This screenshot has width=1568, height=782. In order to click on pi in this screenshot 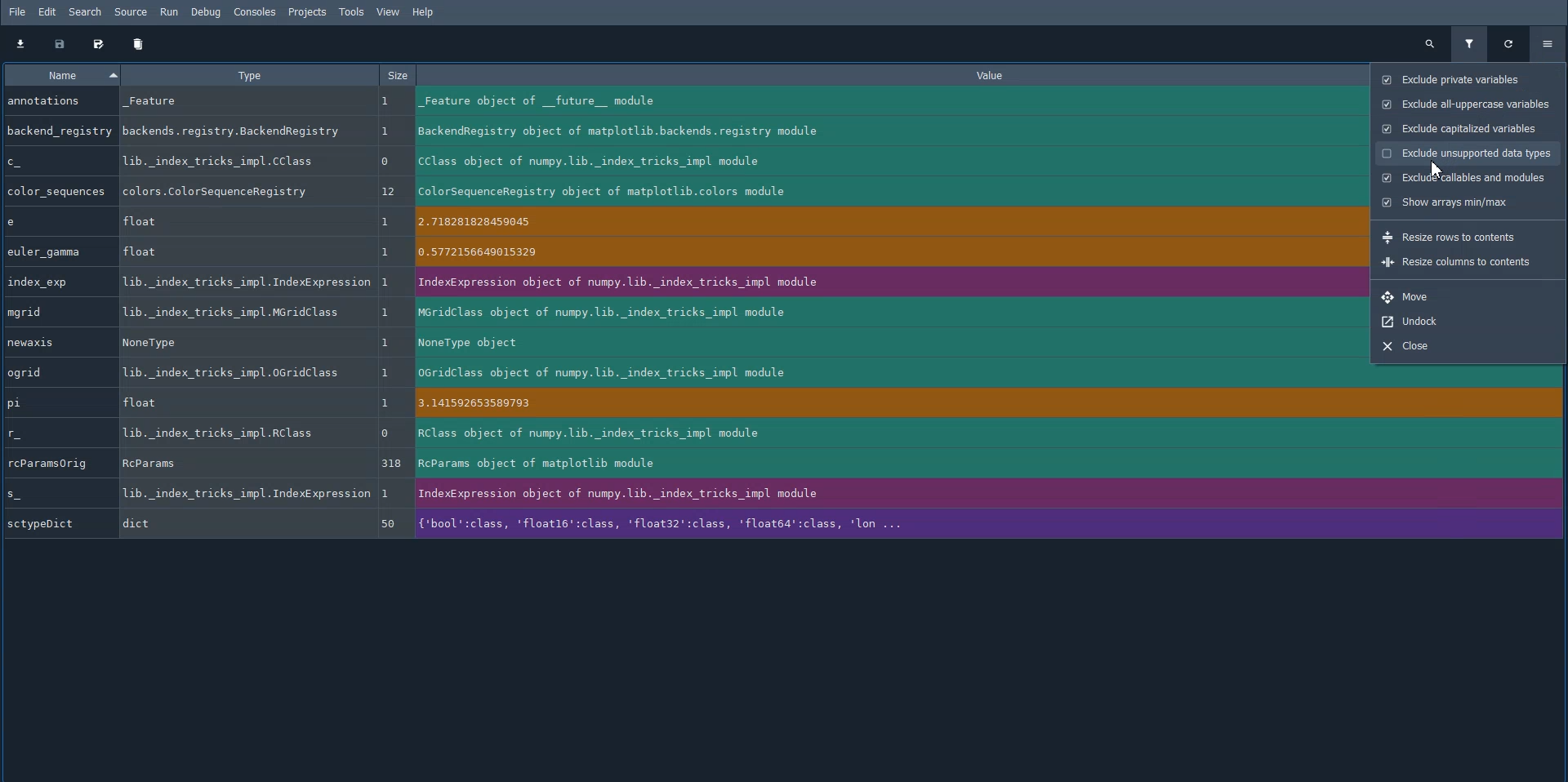, I will do `click(52, 402)`.